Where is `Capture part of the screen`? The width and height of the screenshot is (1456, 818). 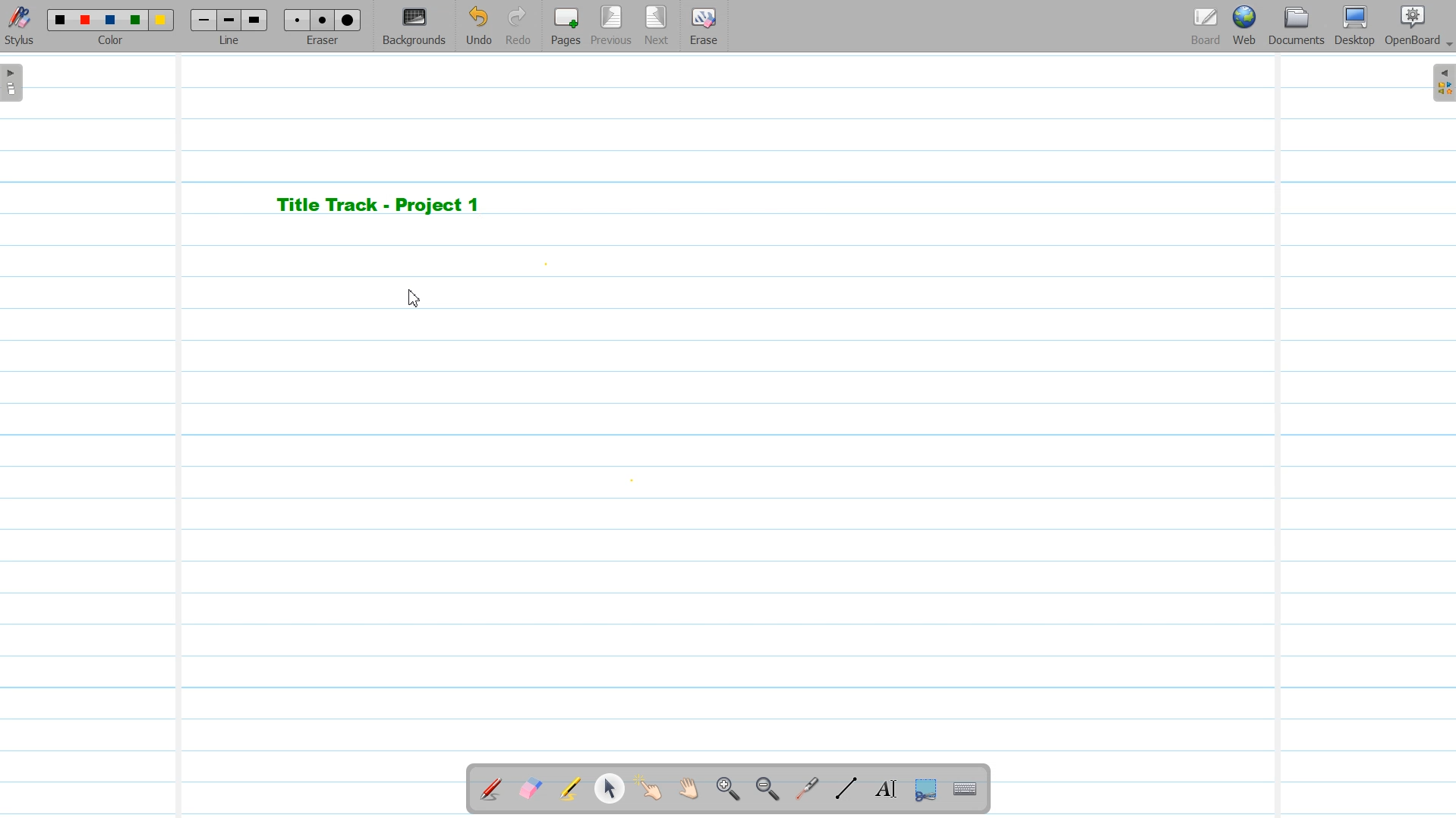
Capture part of the screen is located at coordinates (924, 790).